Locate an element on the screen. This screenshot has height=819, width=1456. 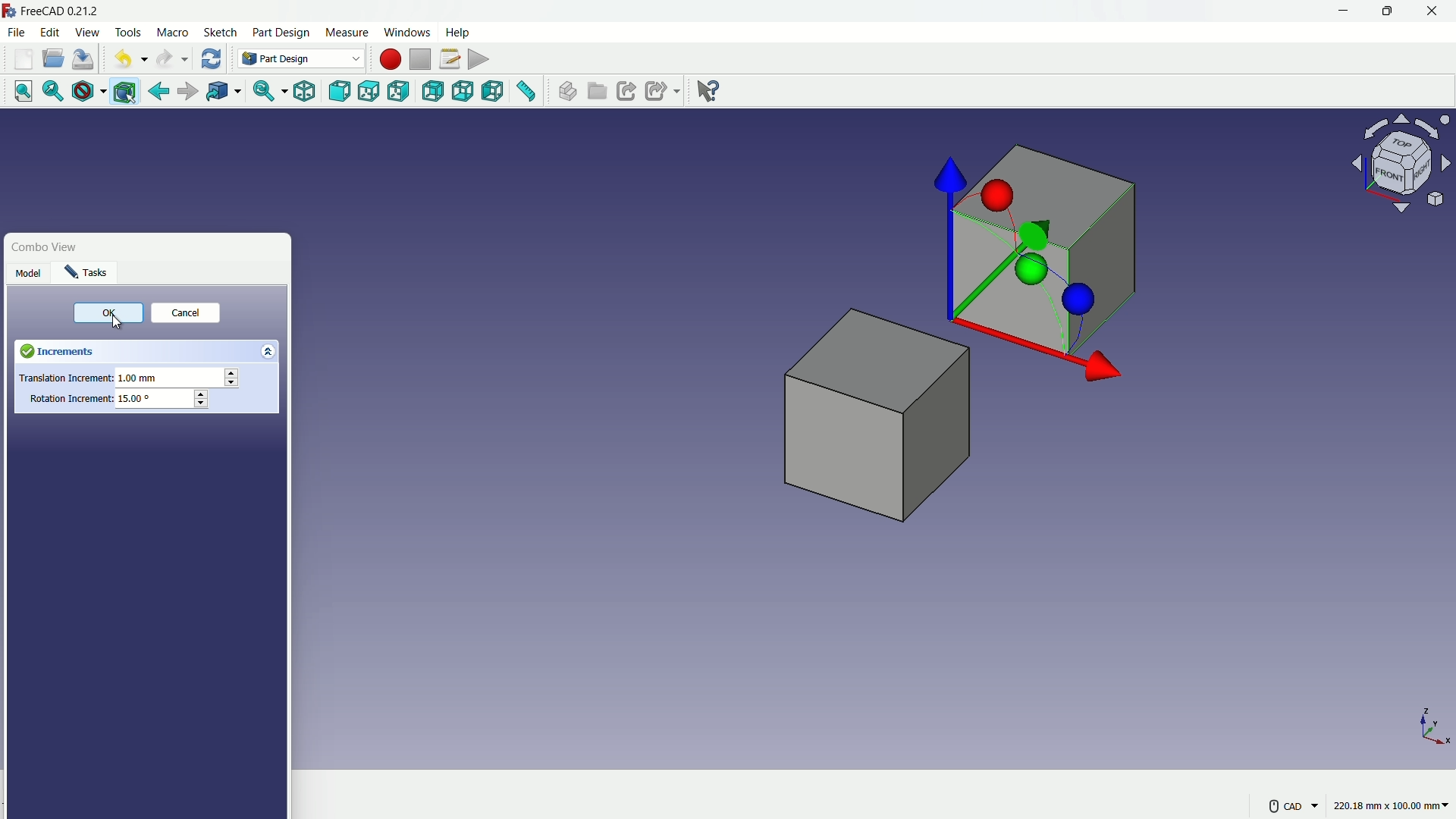
axis is located at coordinates (1435, 726).